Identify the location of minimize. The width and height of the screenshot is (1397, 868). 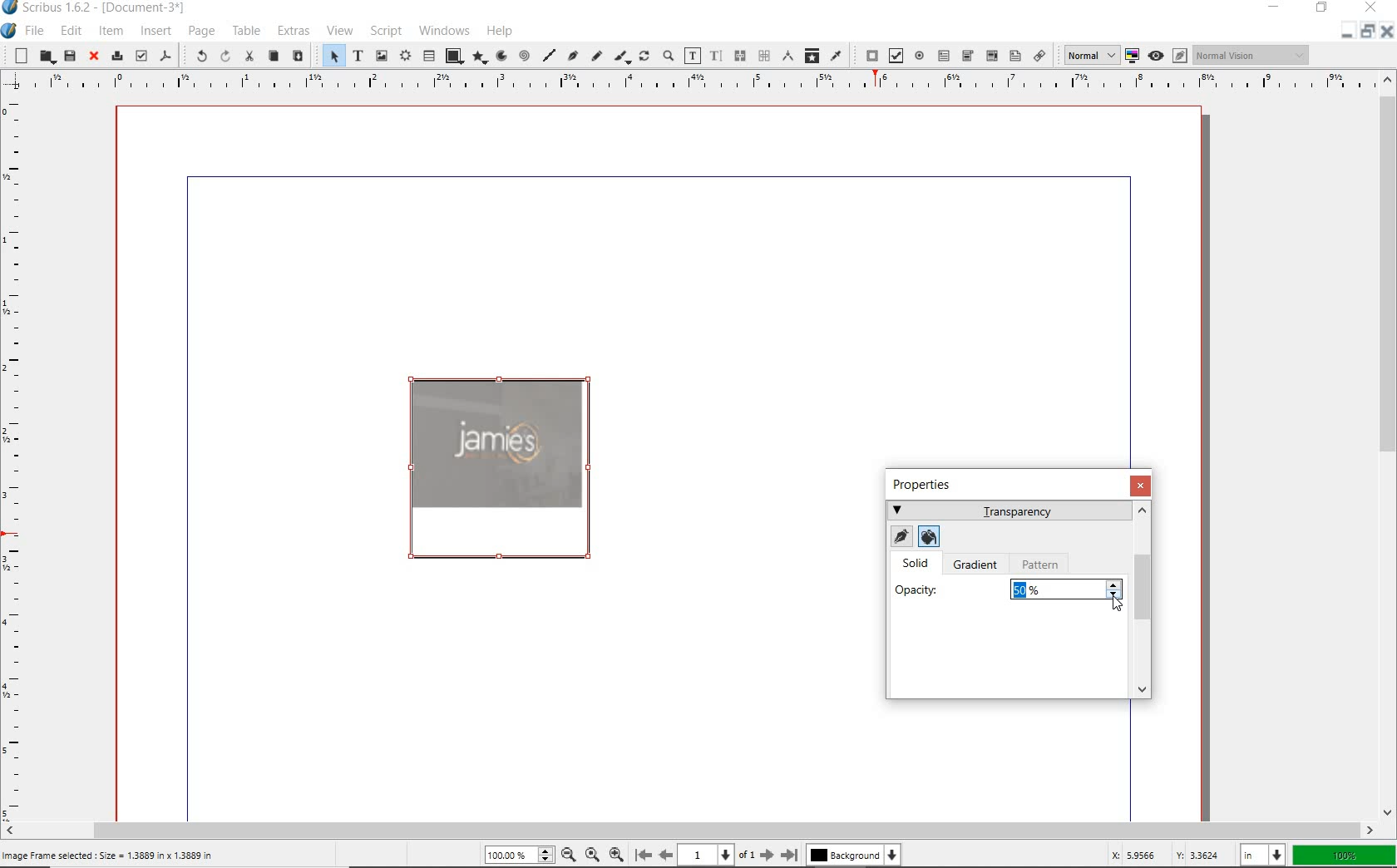
(1343, 33).